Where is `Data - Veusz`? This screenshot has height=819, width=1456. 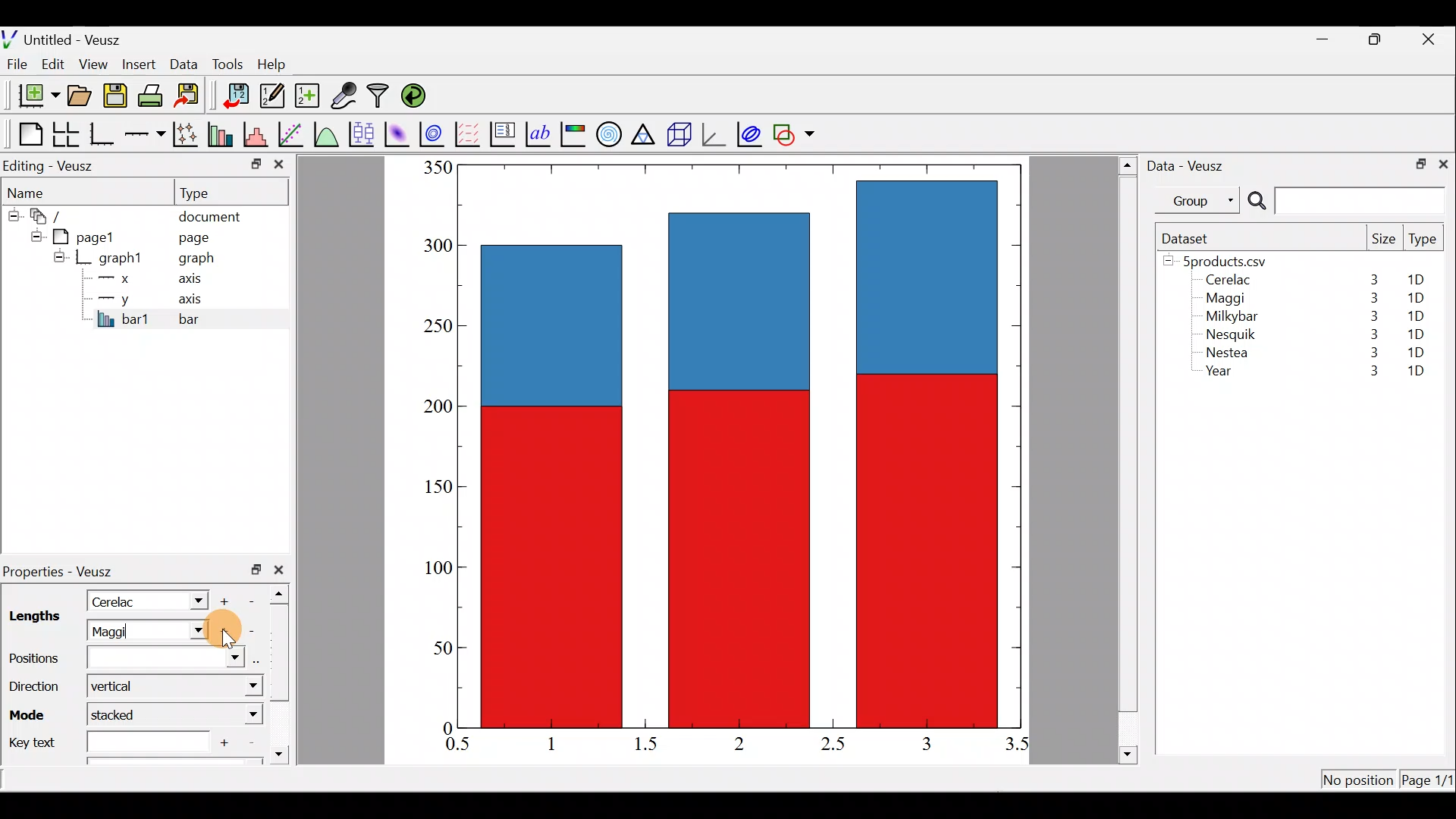 Data - Veusz is located at coordinates (1189, 164).